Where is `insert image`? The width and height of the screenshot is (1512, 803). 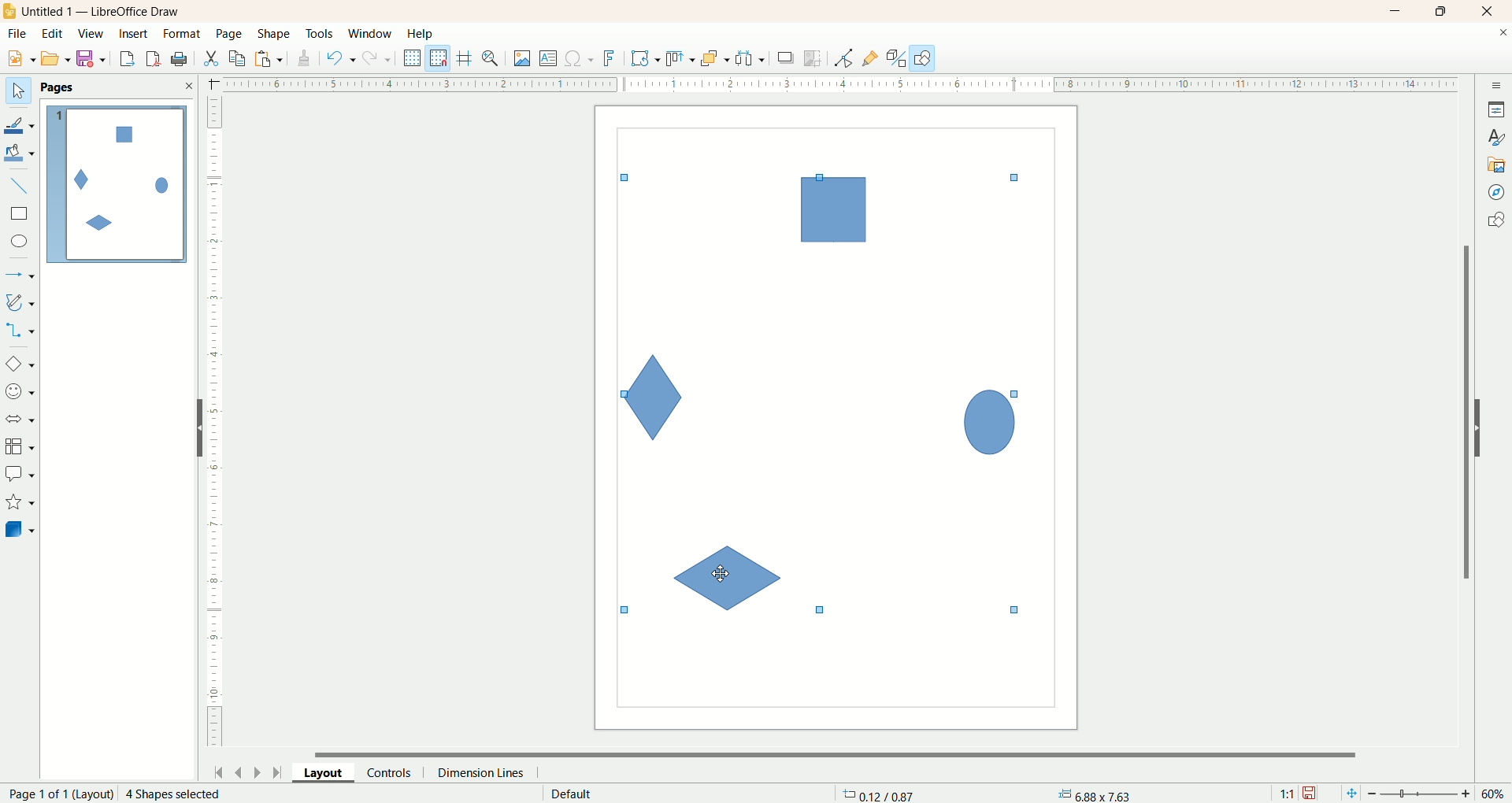 insert image is located at coordinates (523, 59).